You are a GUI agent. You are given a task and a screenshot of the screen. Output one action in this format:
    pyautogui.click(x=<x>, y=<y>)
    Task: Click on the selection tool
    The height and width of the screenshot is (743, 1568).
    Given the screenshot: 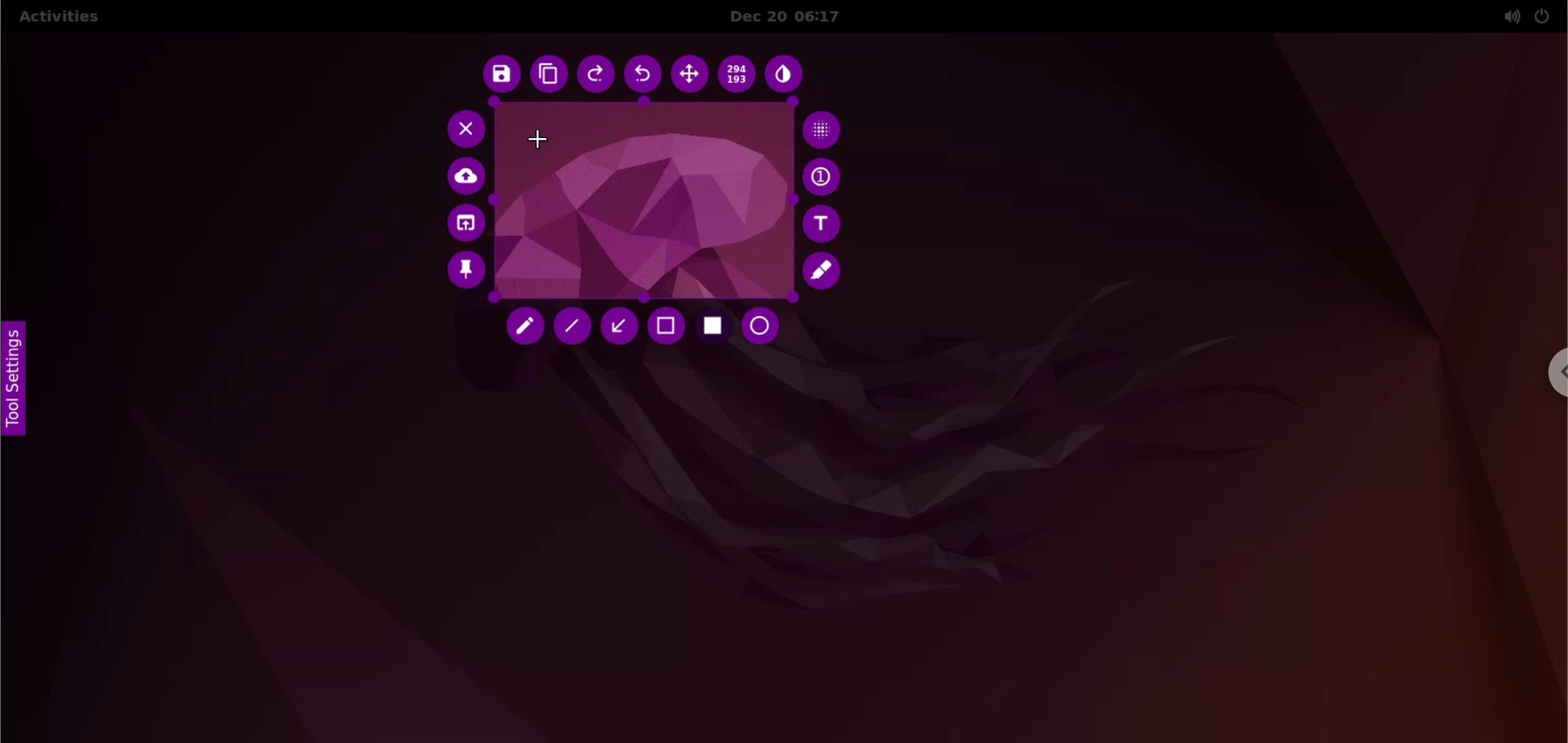 What is the action you would take?
    pyautogui.click(x=667, y=327)
    